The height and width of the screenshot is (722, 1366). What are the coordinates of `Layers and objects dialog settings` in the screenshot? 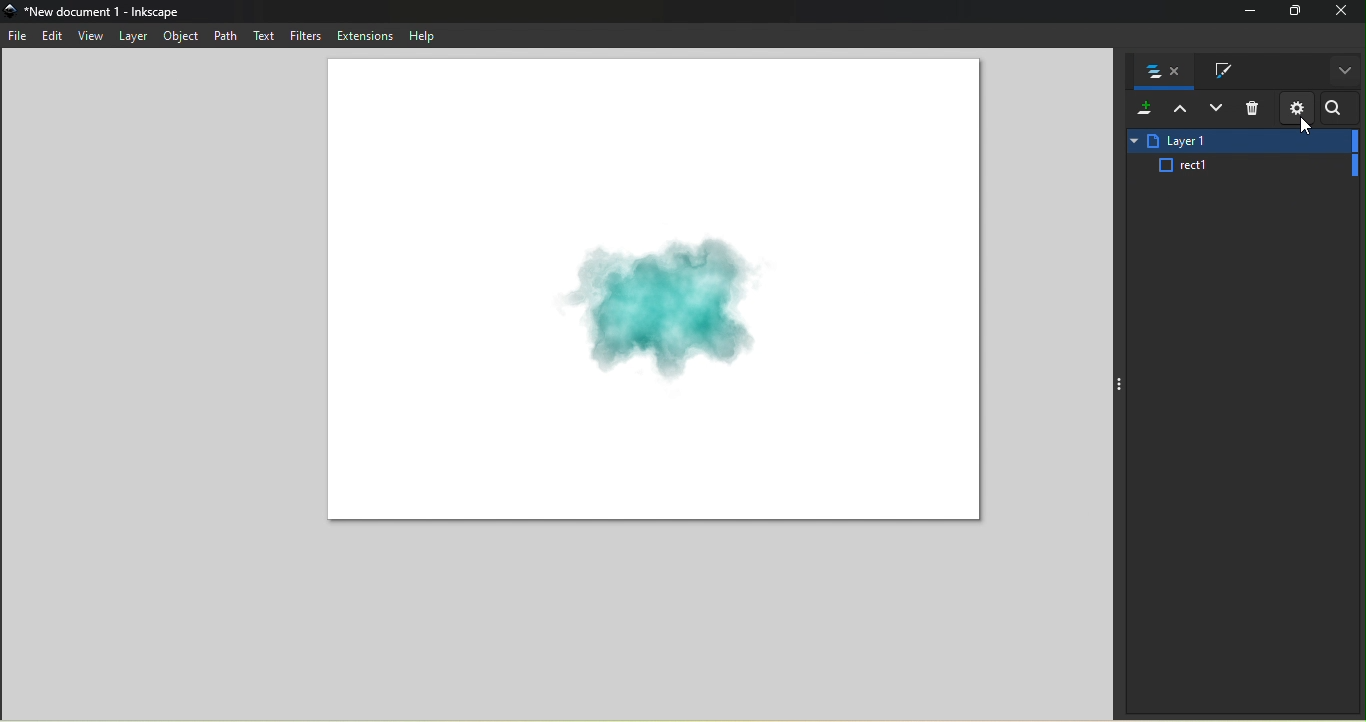 It's located at (1296, 108).